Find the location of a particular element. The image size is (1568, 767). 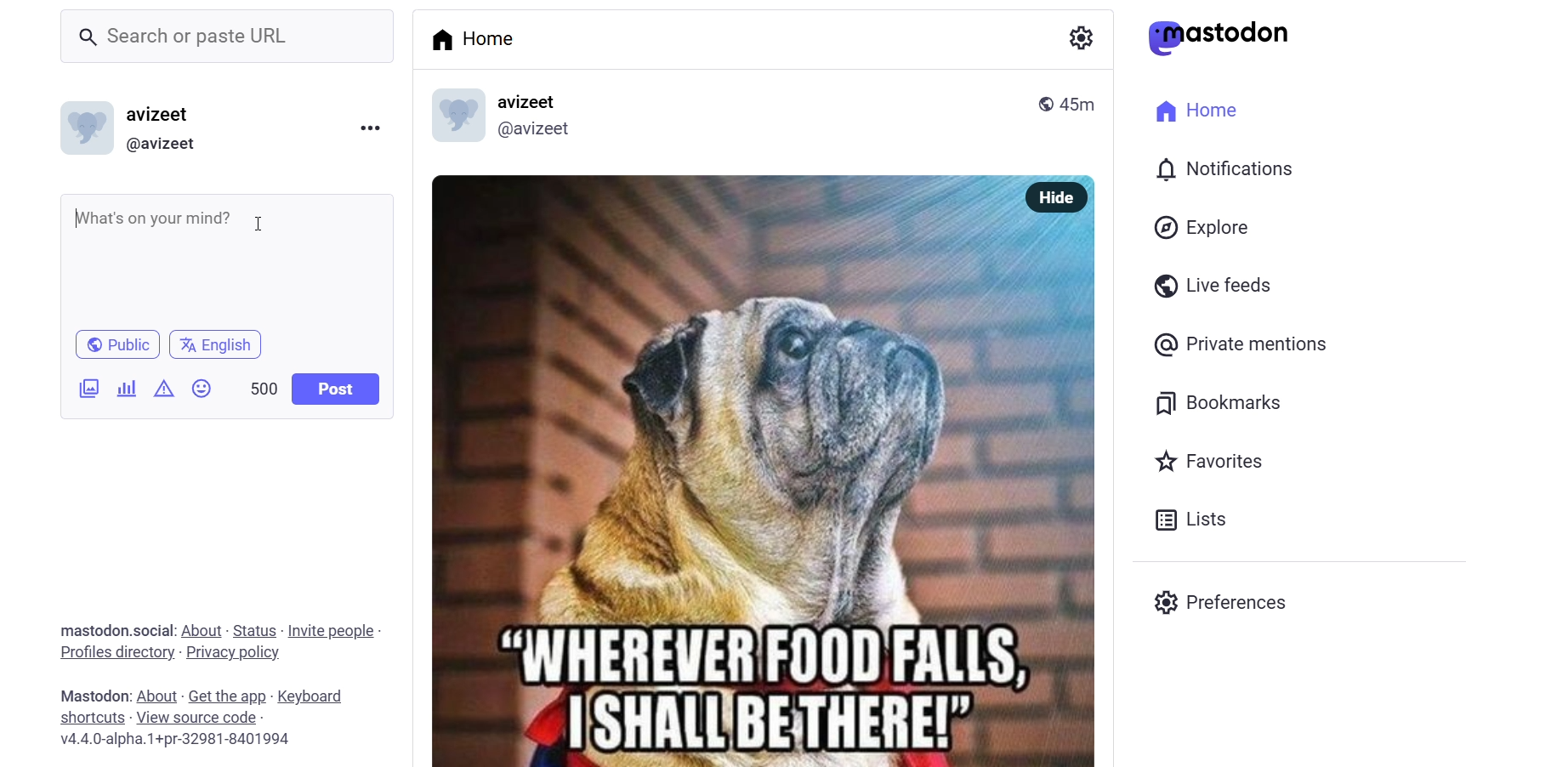

 Bookmarks is located at coordinates (1218, 409).